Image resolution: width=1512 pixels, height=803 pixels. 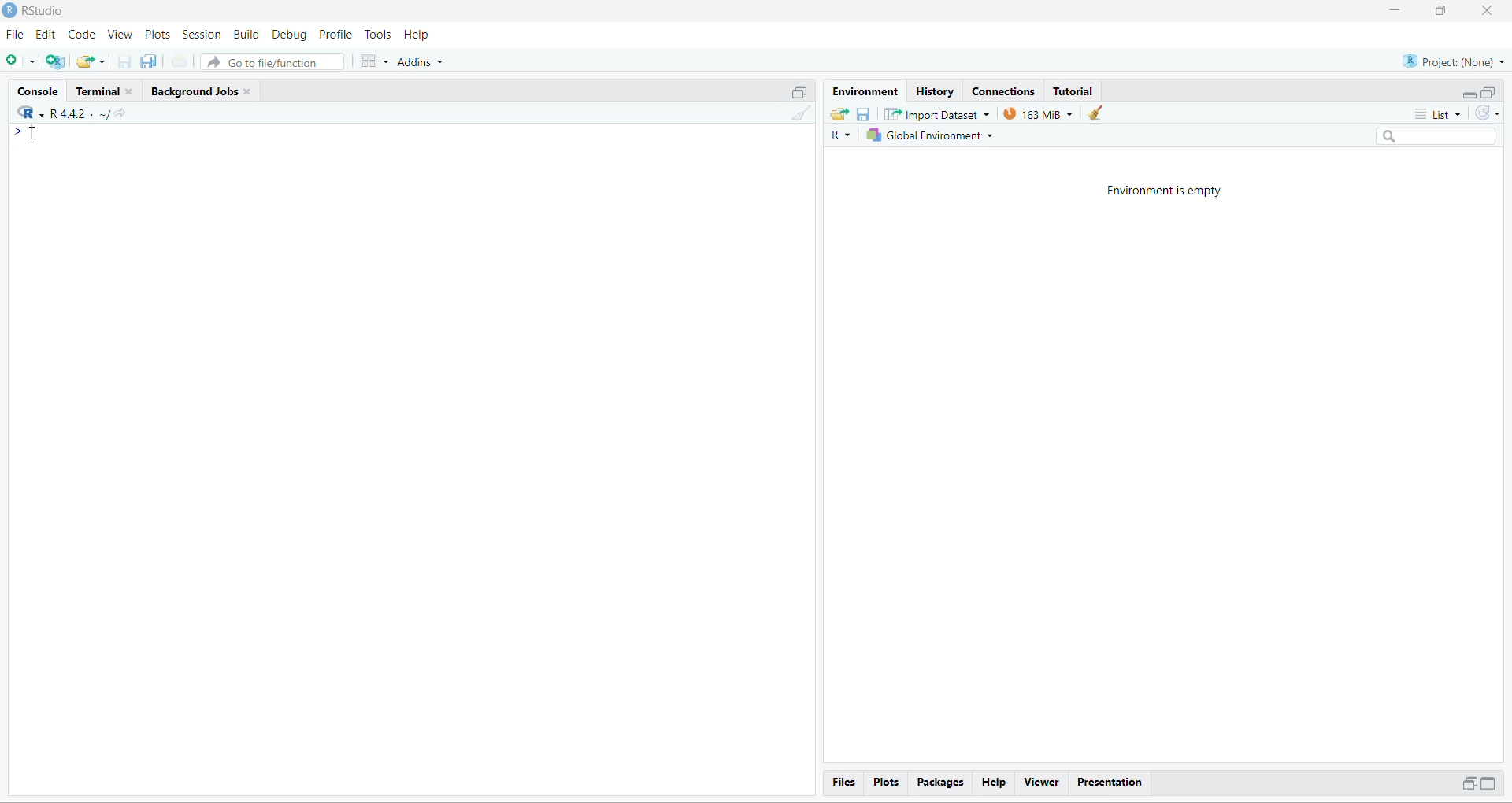 What do you see at coordinates (47, 9) in the screenshot?
I see `RStudio` at bounding box center [47, 9].